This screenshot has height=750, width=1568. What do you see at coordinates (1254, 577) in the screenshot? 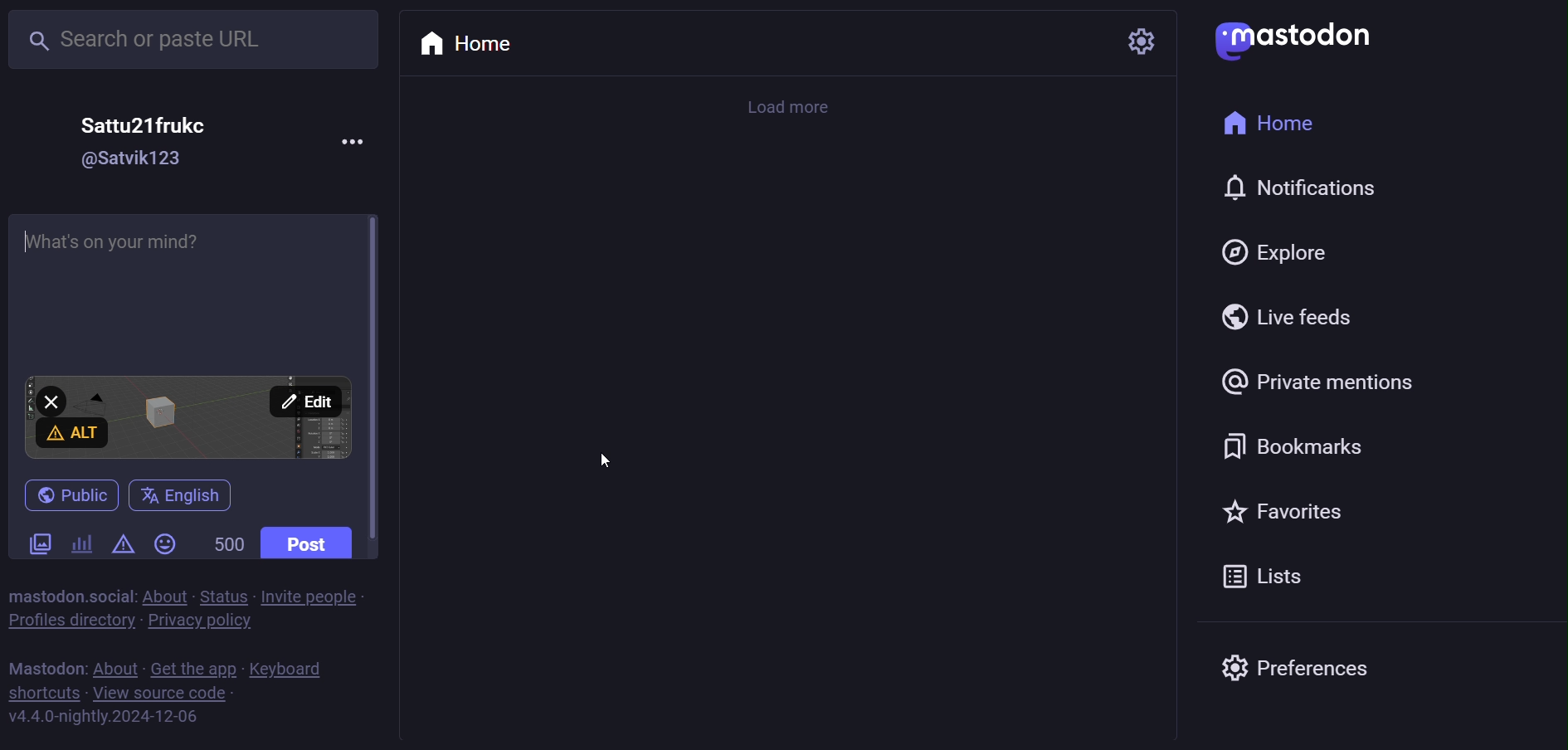
I see `list` at bounding box center [1254, 577].